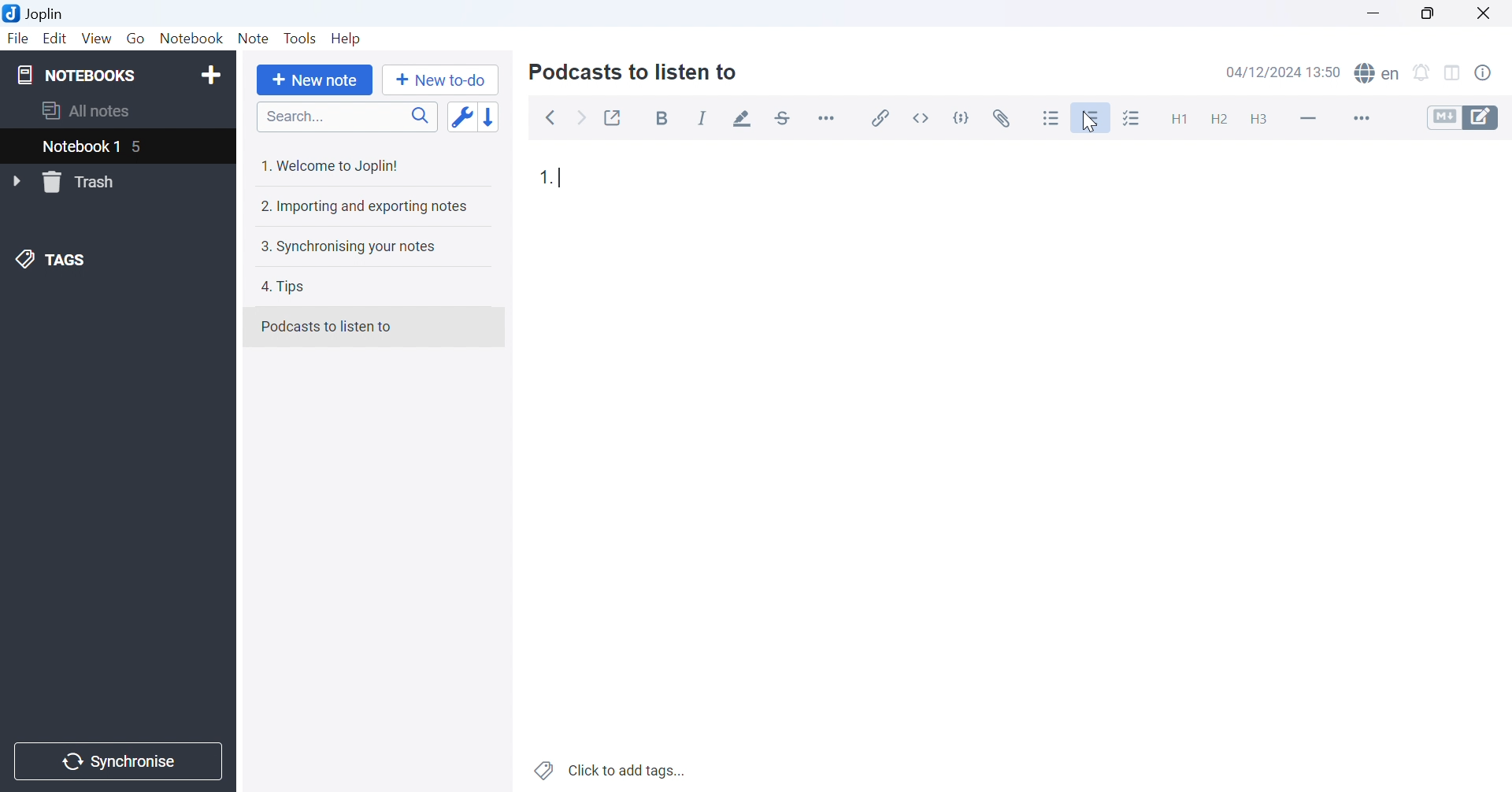 This screenshot has width=1512, height=792. I want to click on Reverse sort order, so click(491, 117).